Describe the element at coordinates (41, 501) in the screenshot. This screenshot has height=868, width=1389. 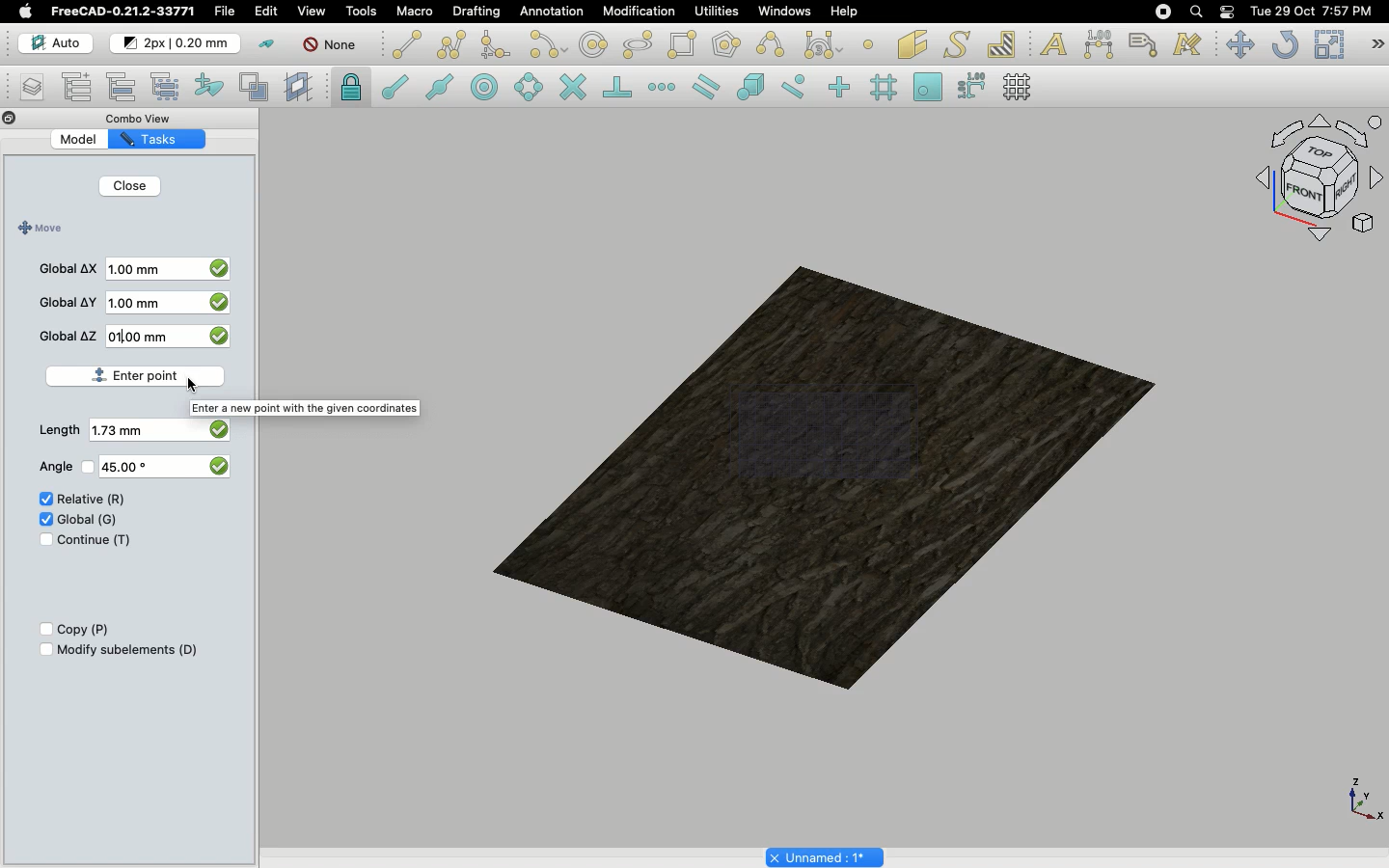
I see `Check` at that location.